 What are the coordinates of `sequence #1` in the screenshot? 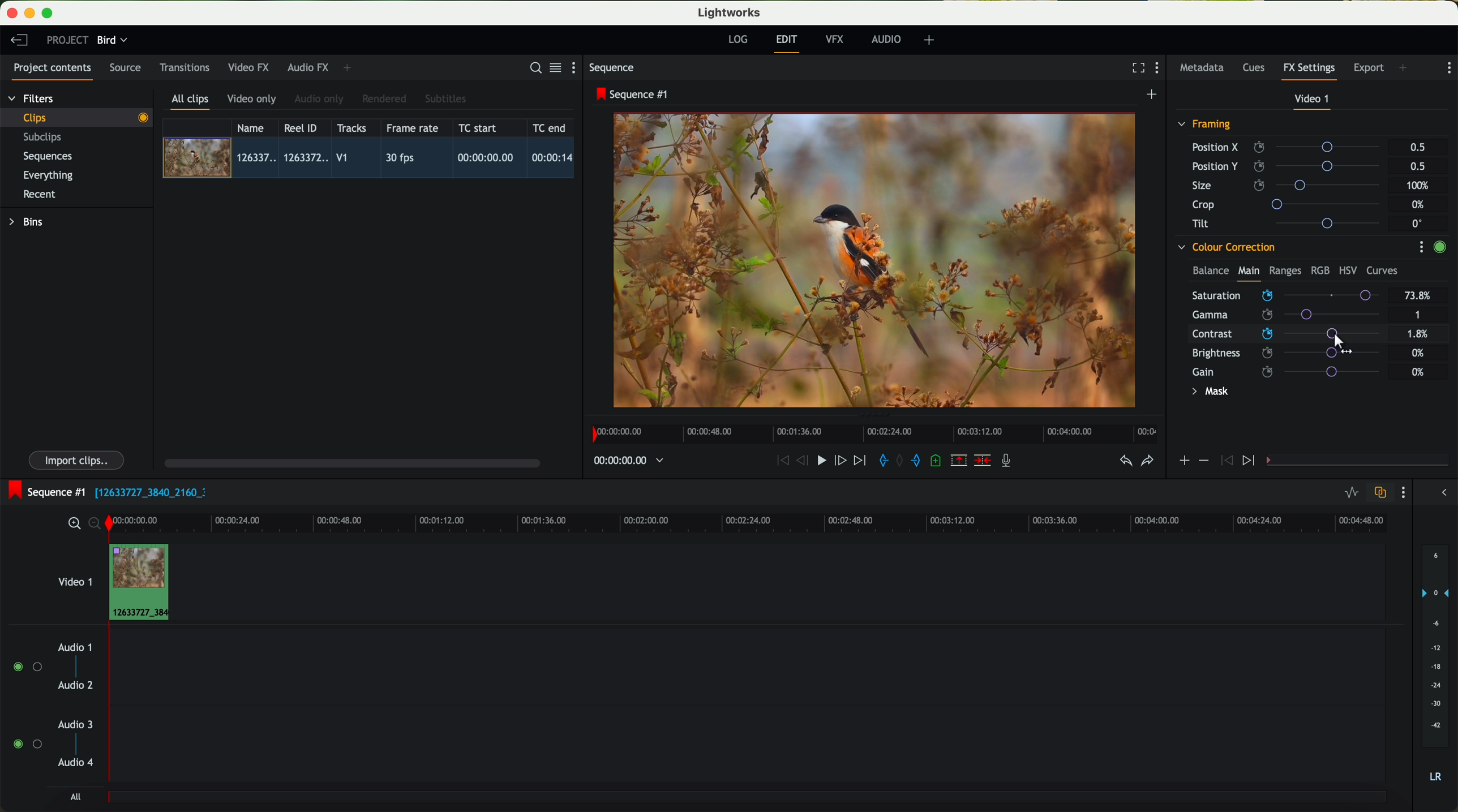 It's located at (633, 94).